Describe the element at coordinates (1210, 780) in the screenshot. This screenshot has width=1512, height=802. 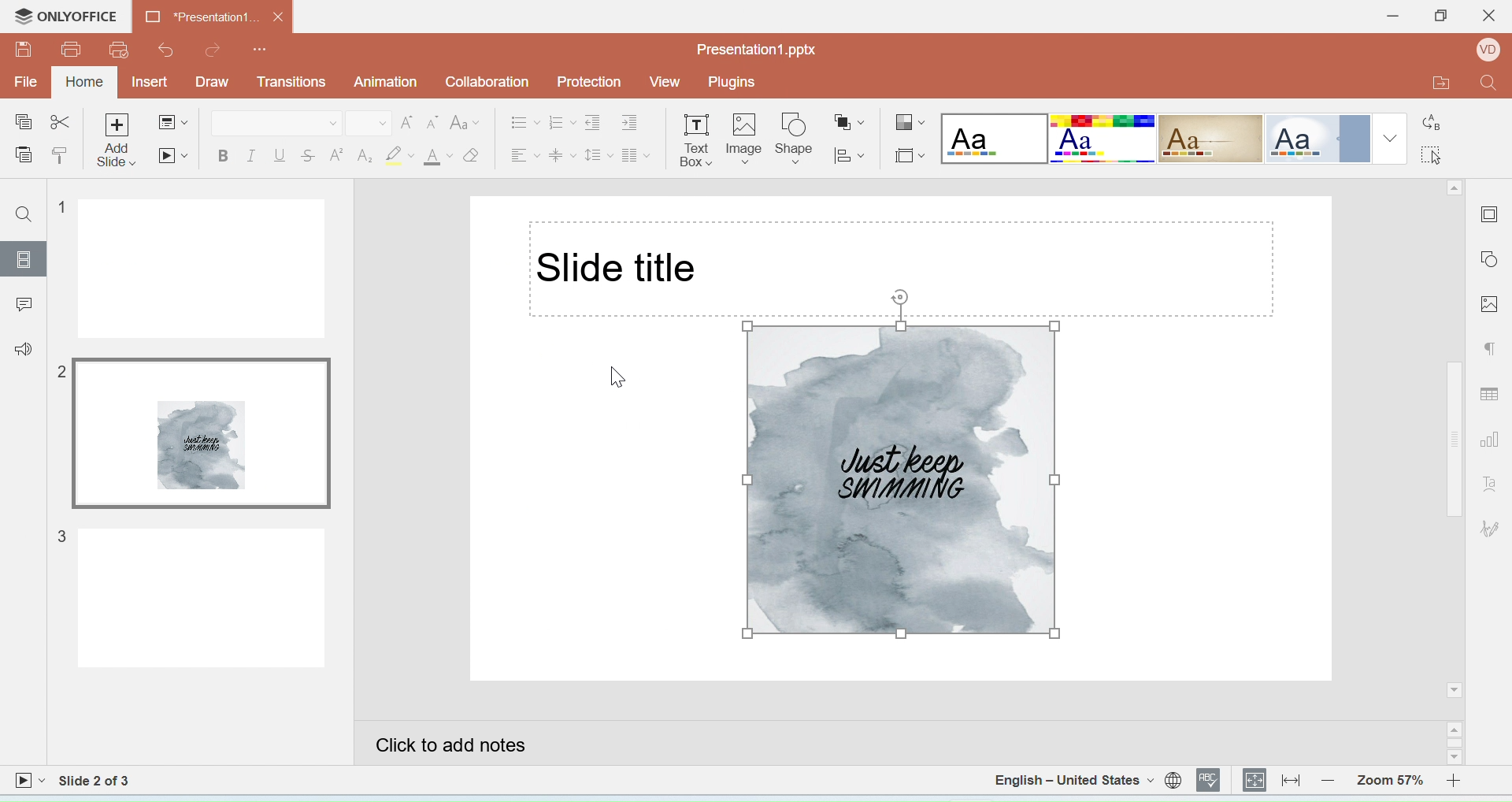
I see `Spell checking` at that location.